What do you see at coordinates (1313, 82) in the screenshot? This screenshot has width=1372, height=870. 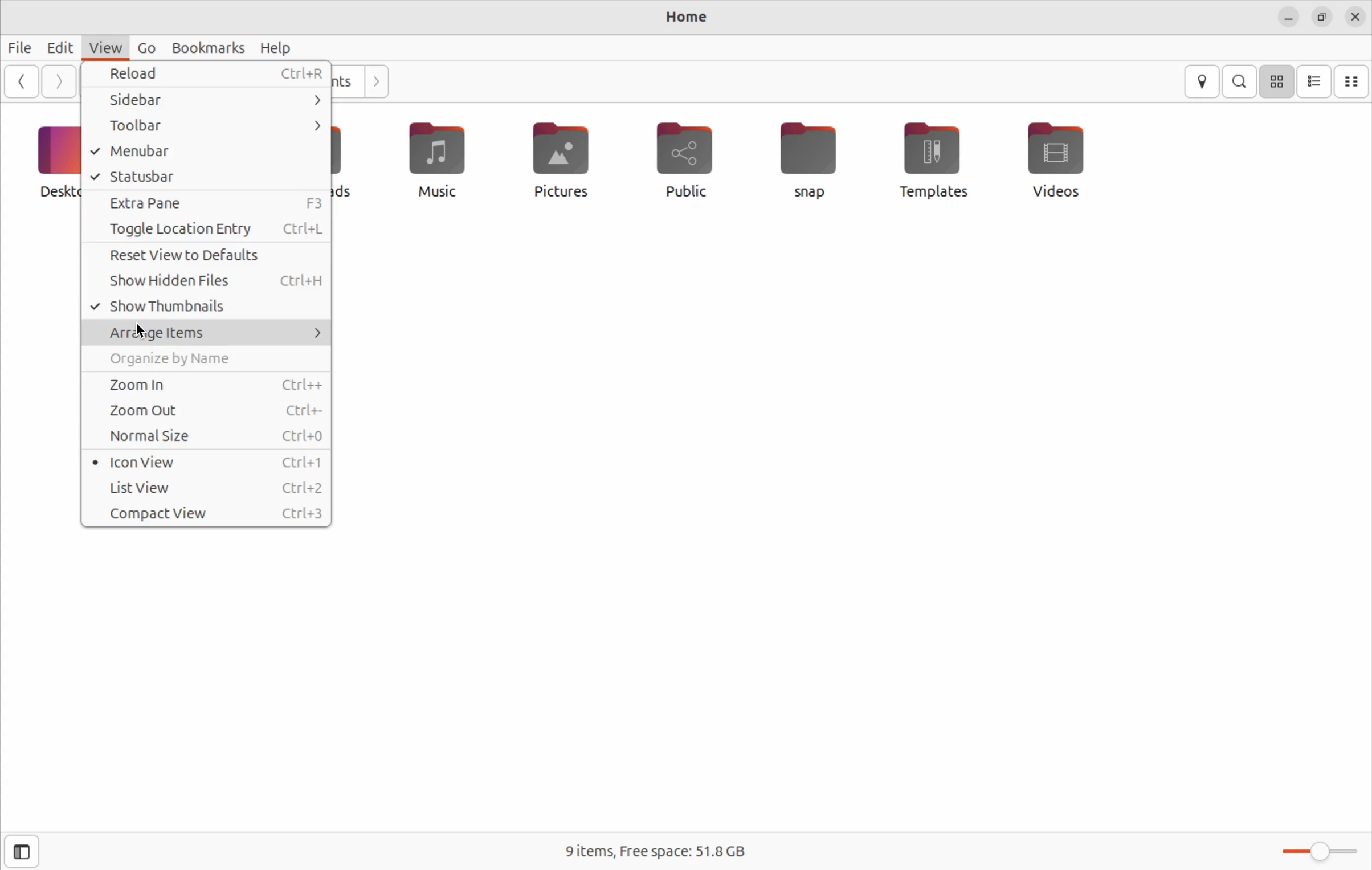 I see `list view` at bounding box center [1313, 82].